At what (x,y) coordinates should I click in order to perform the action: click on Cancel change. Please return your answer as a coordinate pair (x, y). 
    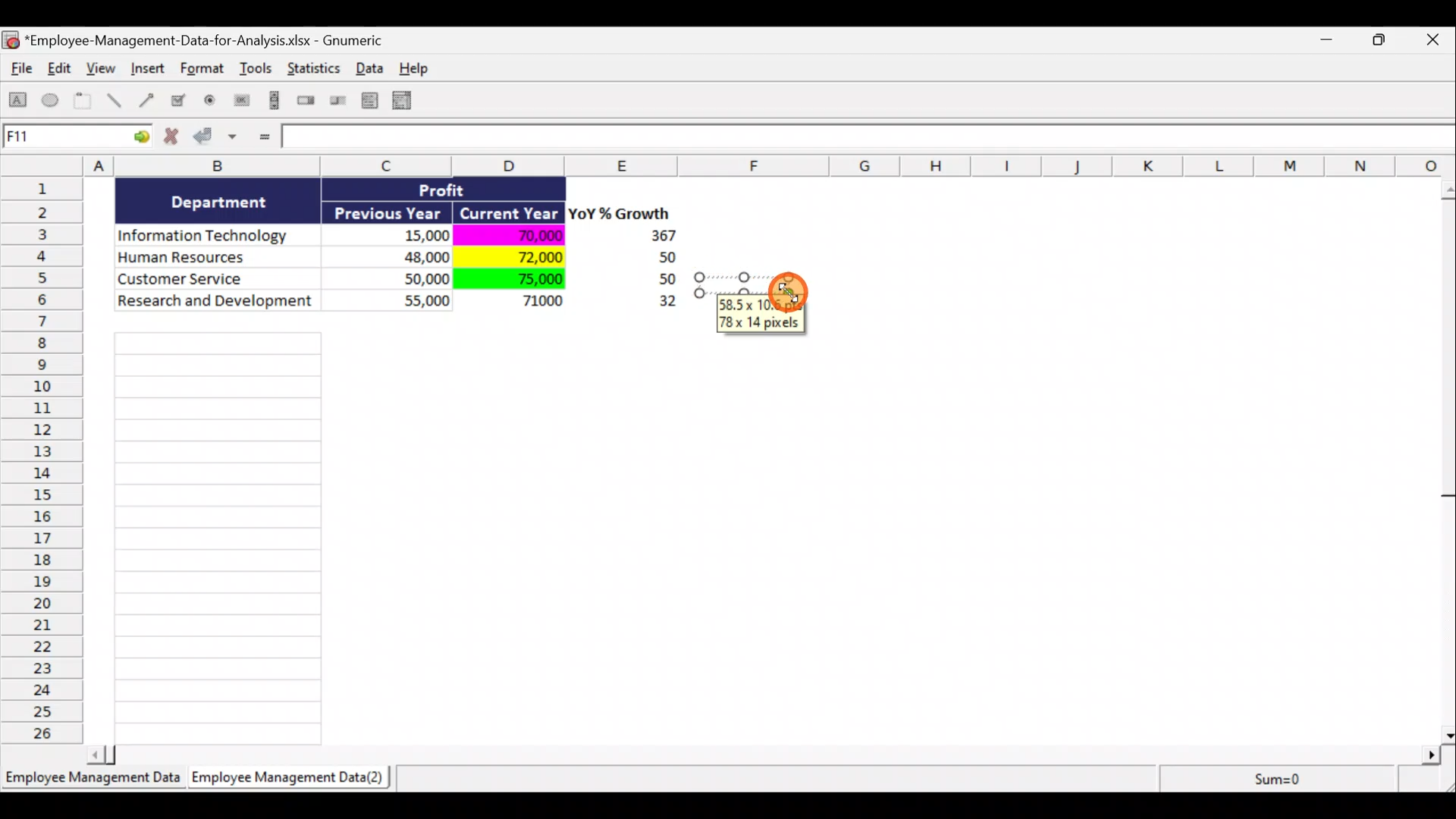
    Looking at the image, I should click on (176, 140).